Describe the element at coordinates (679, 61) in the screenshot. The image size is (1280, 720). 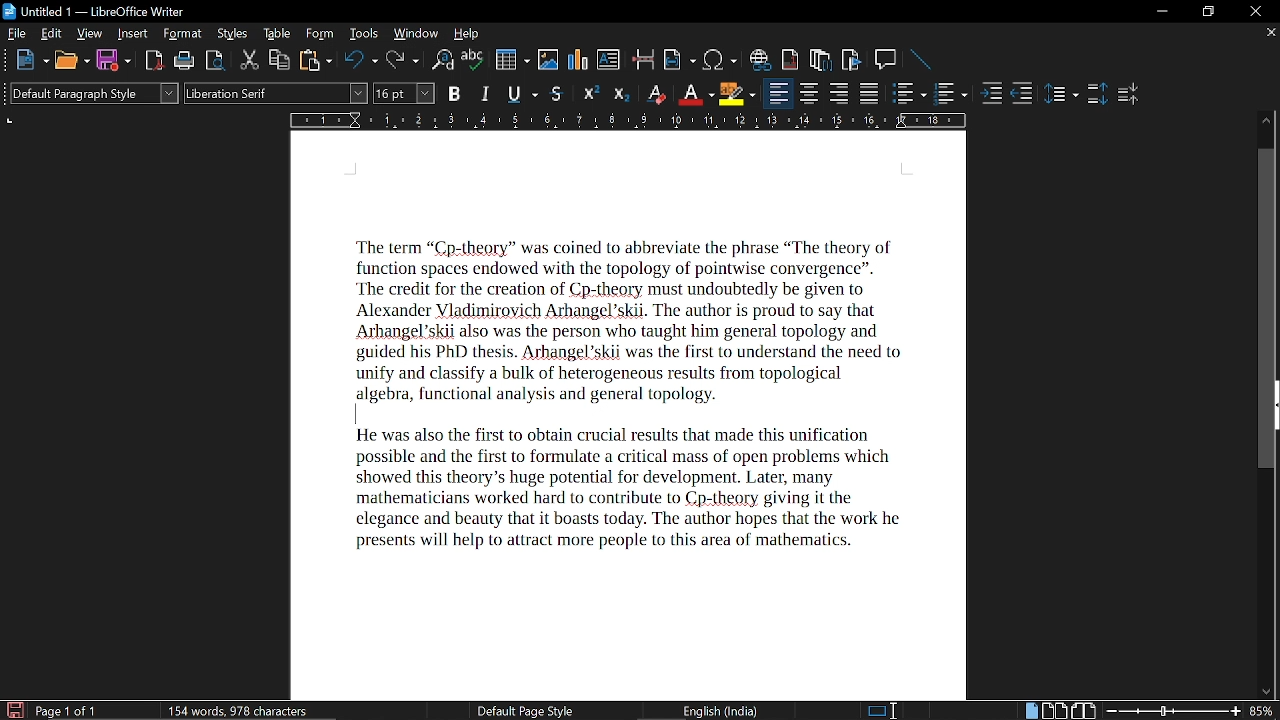
I see `insert field` at that location.